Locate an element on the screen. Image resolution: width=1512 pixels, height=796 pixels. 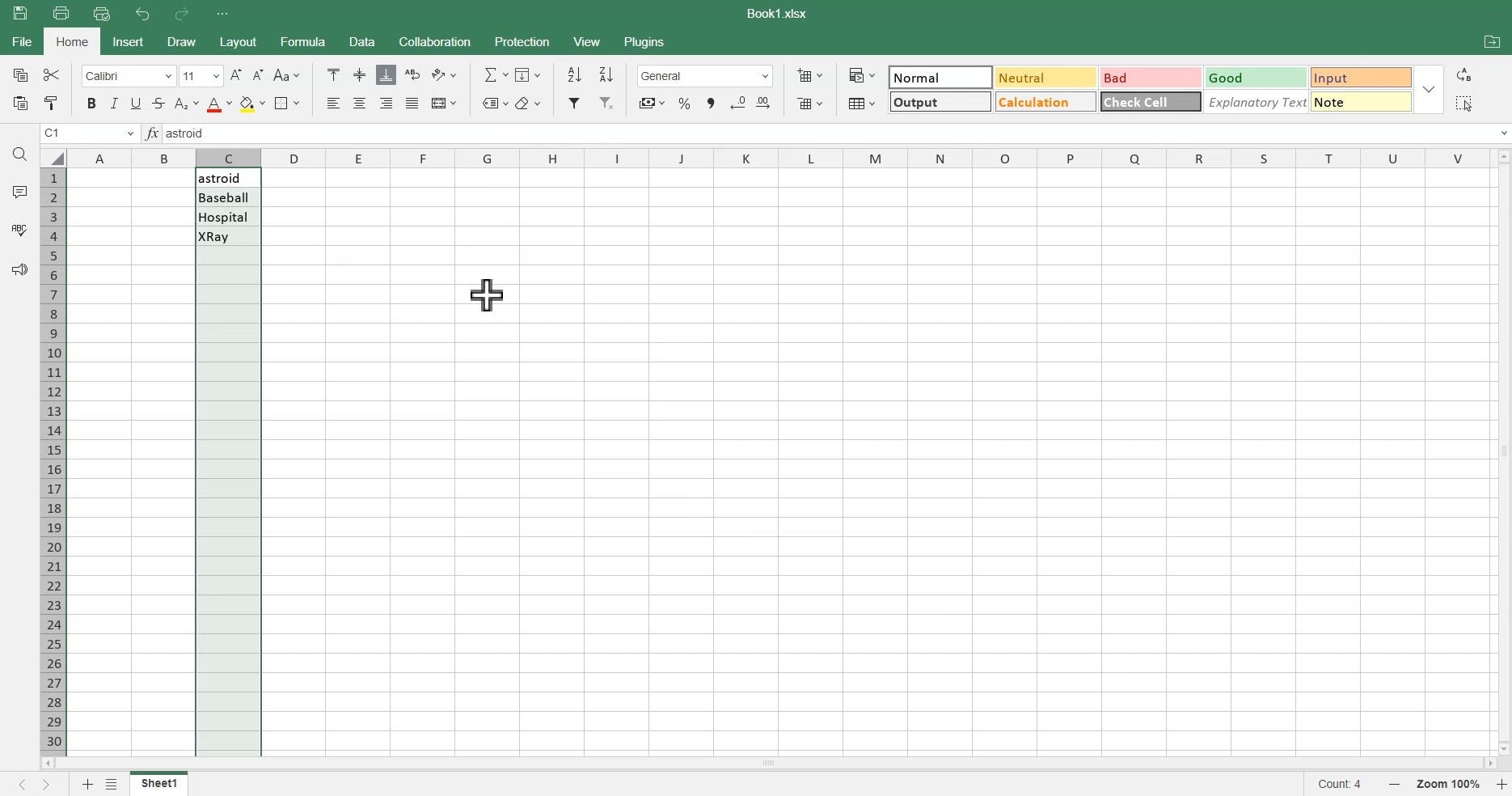
Horizontal Scroll Bar is located at coordinates (768, 762).